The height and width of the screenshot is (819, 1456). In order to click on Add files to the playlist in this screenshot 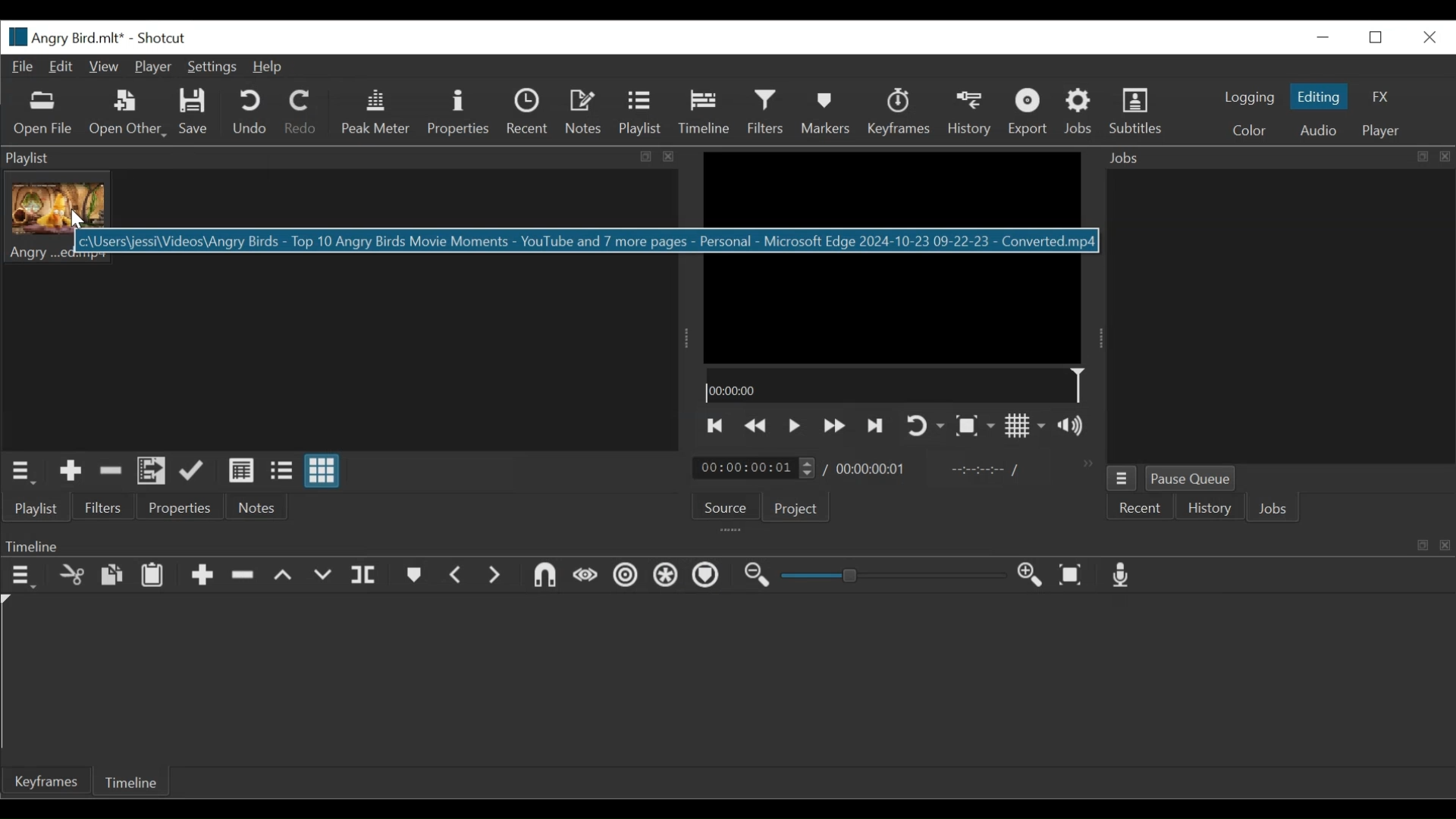, I will do `click(152, 473)`.